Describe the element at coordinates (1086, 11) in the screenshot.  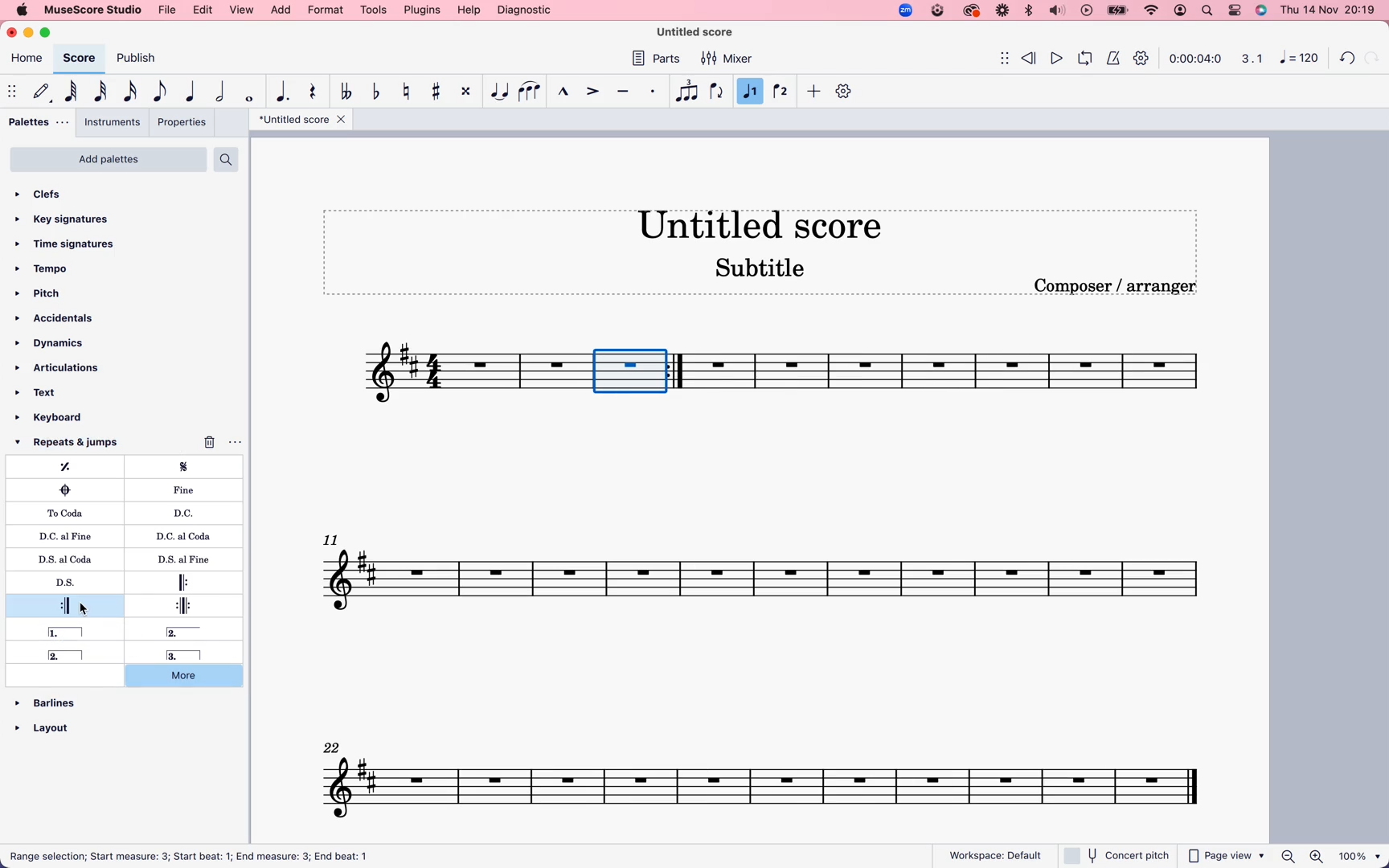
I see `play` at that location.